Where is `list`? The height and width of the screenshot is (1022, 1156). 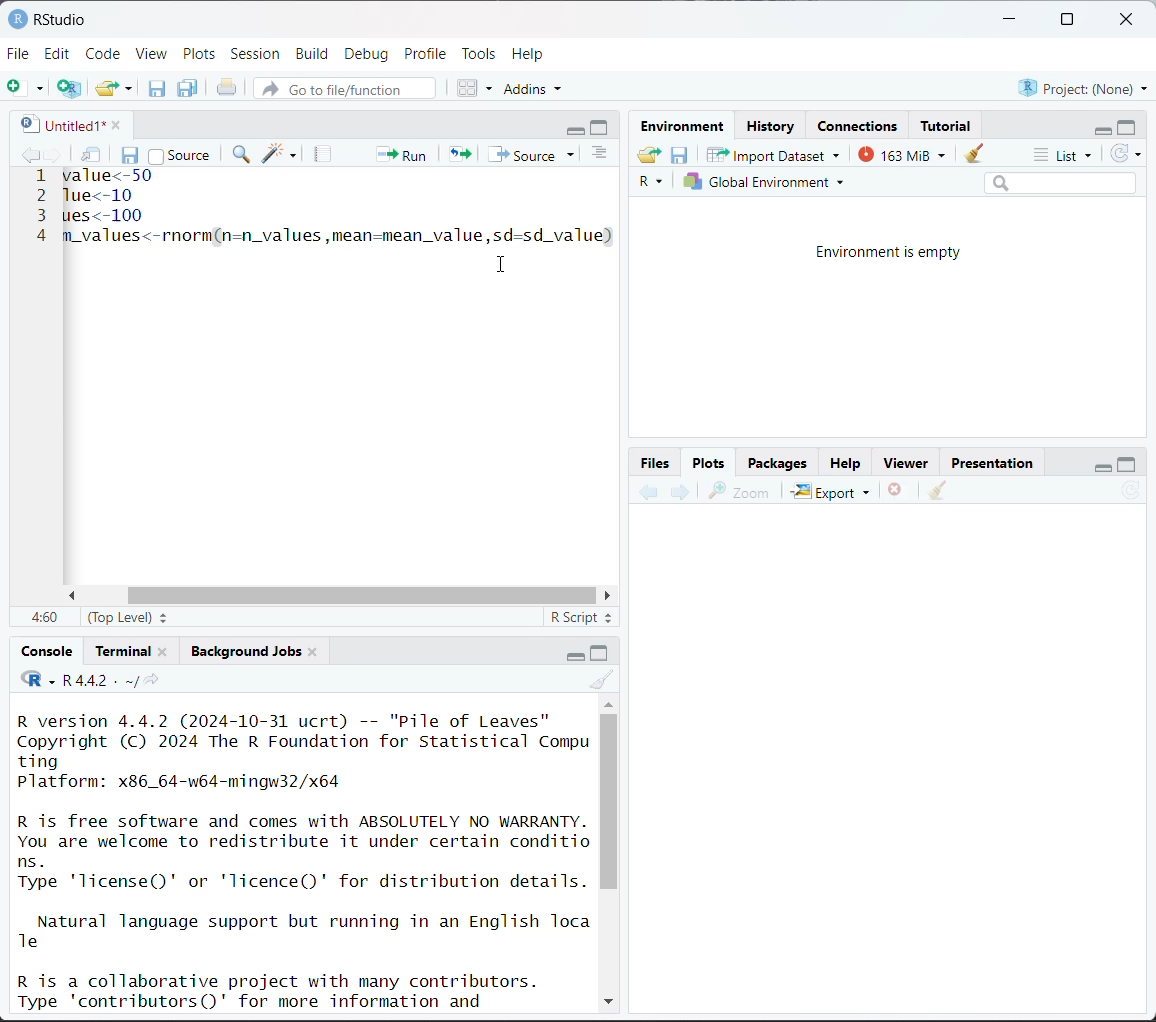 list is located at coordinates (1066, 156).